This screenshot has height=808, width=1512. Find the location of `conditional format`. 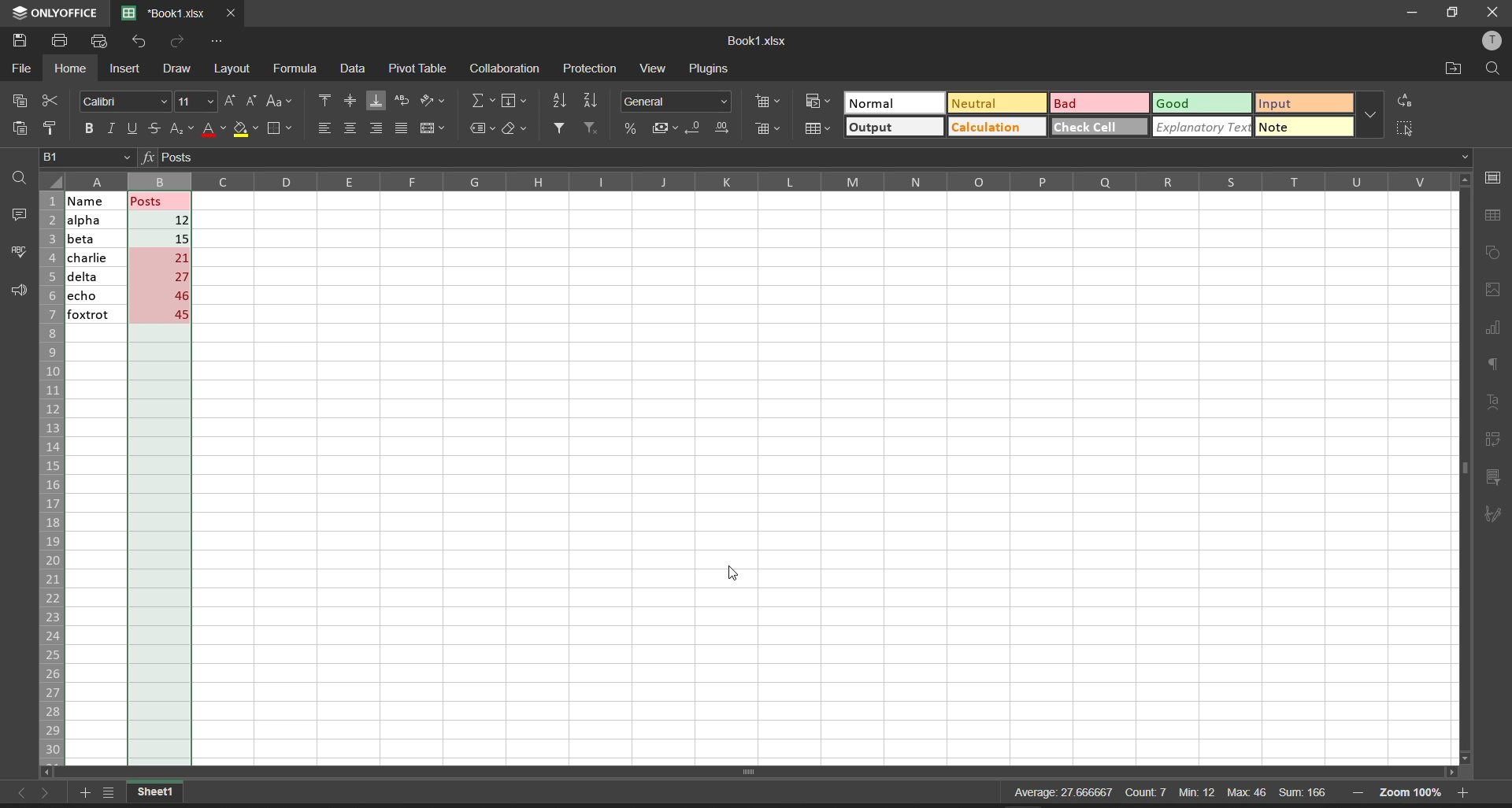

conditional format is located at coordinates (822, 102).